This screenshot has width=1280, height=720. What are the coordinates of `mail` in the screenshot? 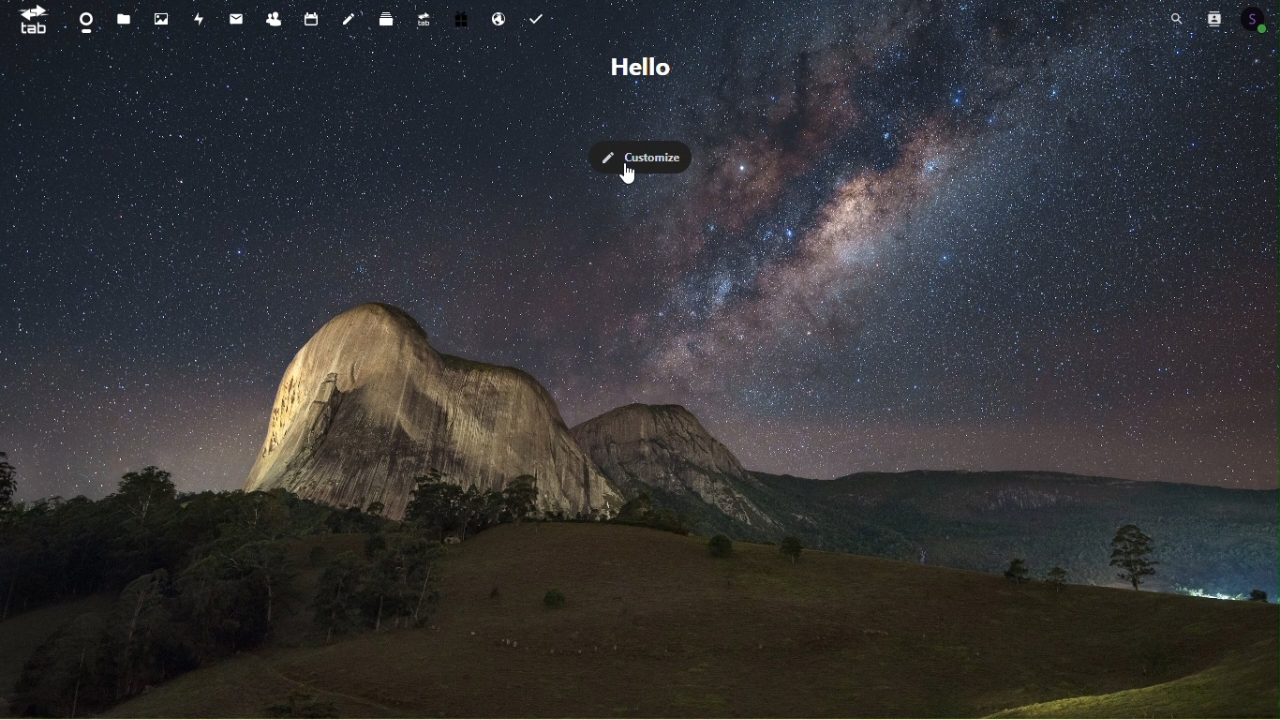 It's located at (236, 17).